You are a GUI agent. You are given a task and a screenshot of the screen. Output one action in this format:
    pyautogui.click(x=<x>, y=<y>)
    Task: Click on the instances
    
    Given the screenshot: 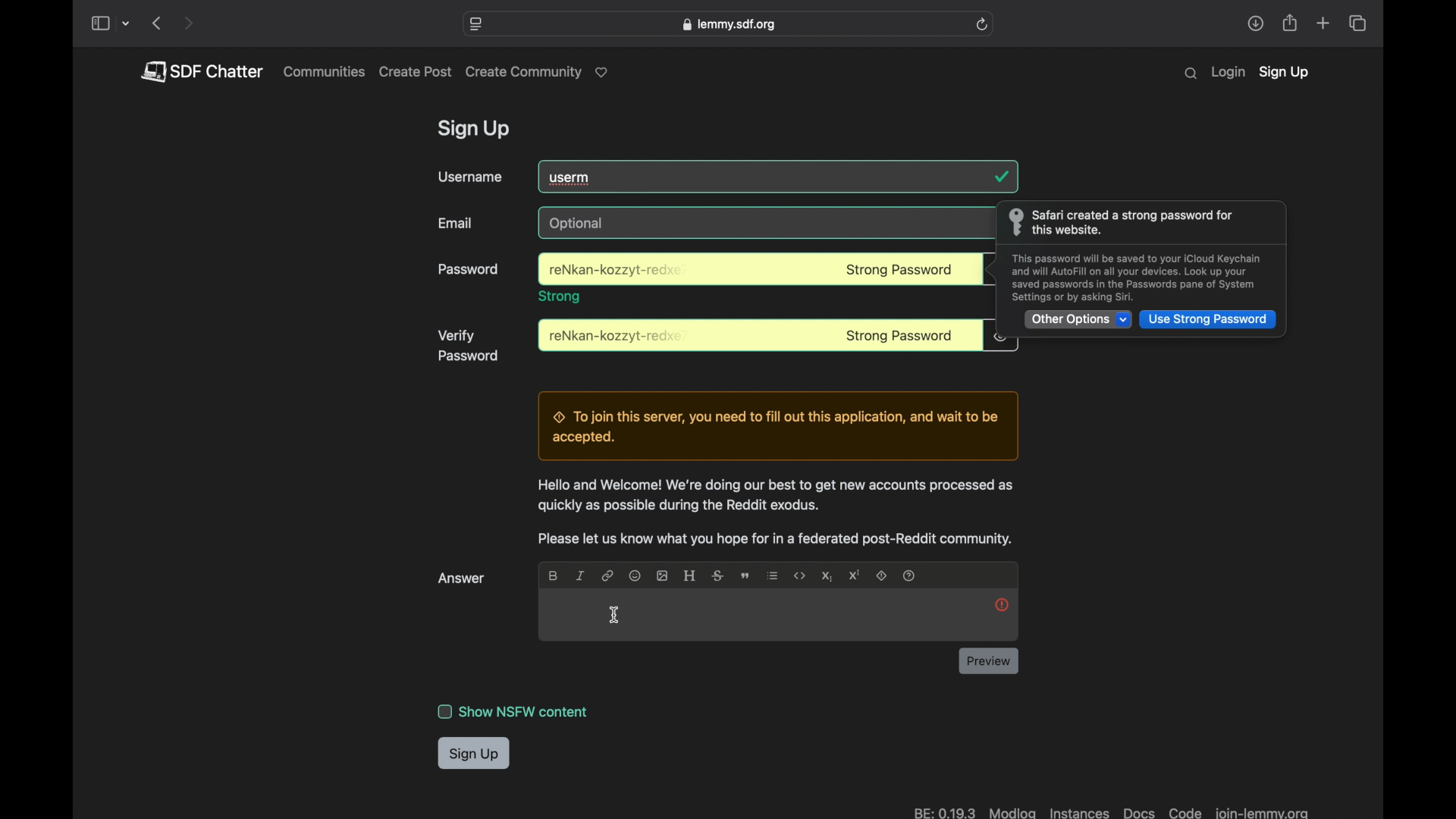 What is the action you would take?
    pyautogui.click(x=1078, y=811)
    